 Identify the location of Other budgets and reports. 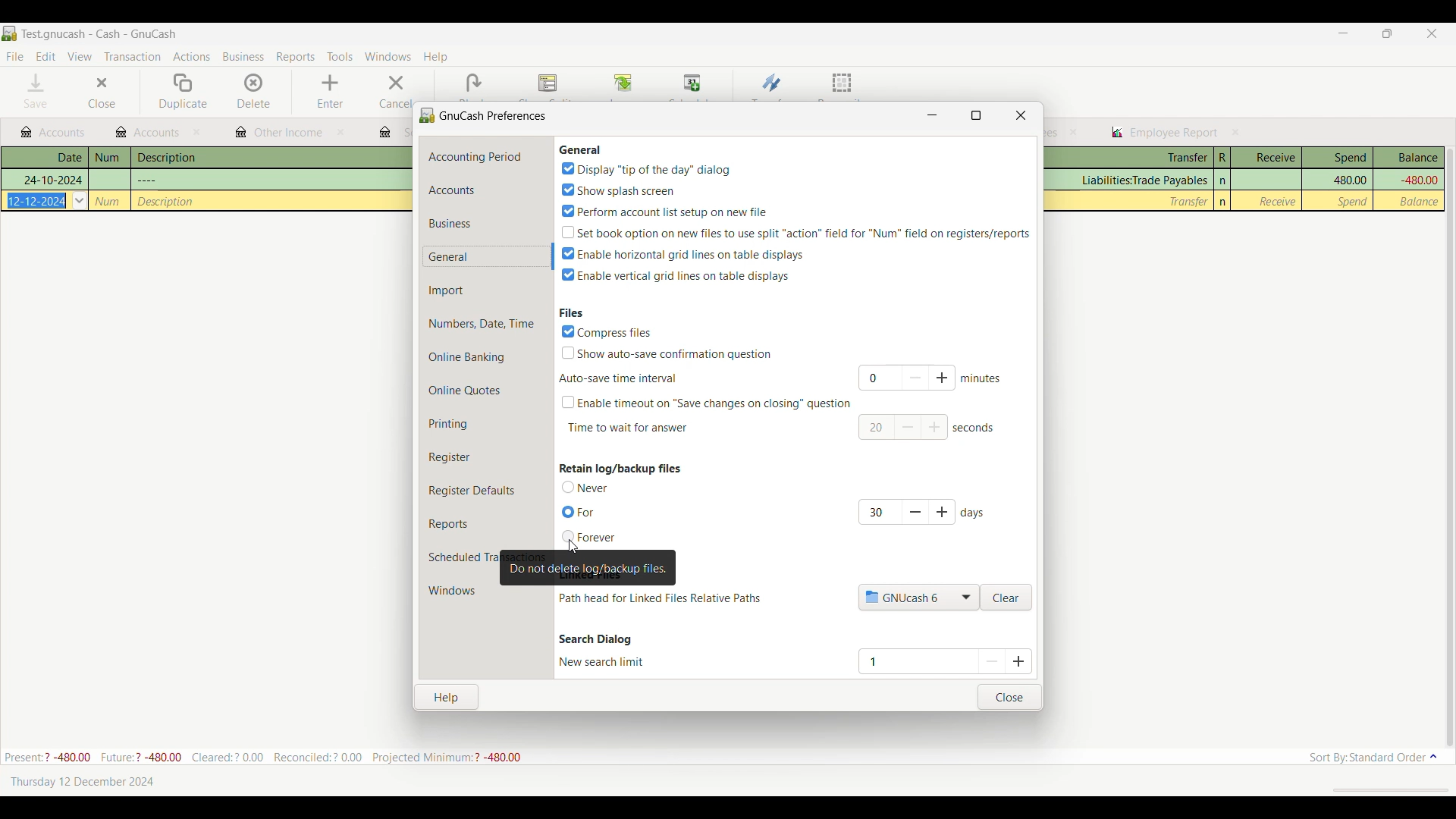
(148, 132).